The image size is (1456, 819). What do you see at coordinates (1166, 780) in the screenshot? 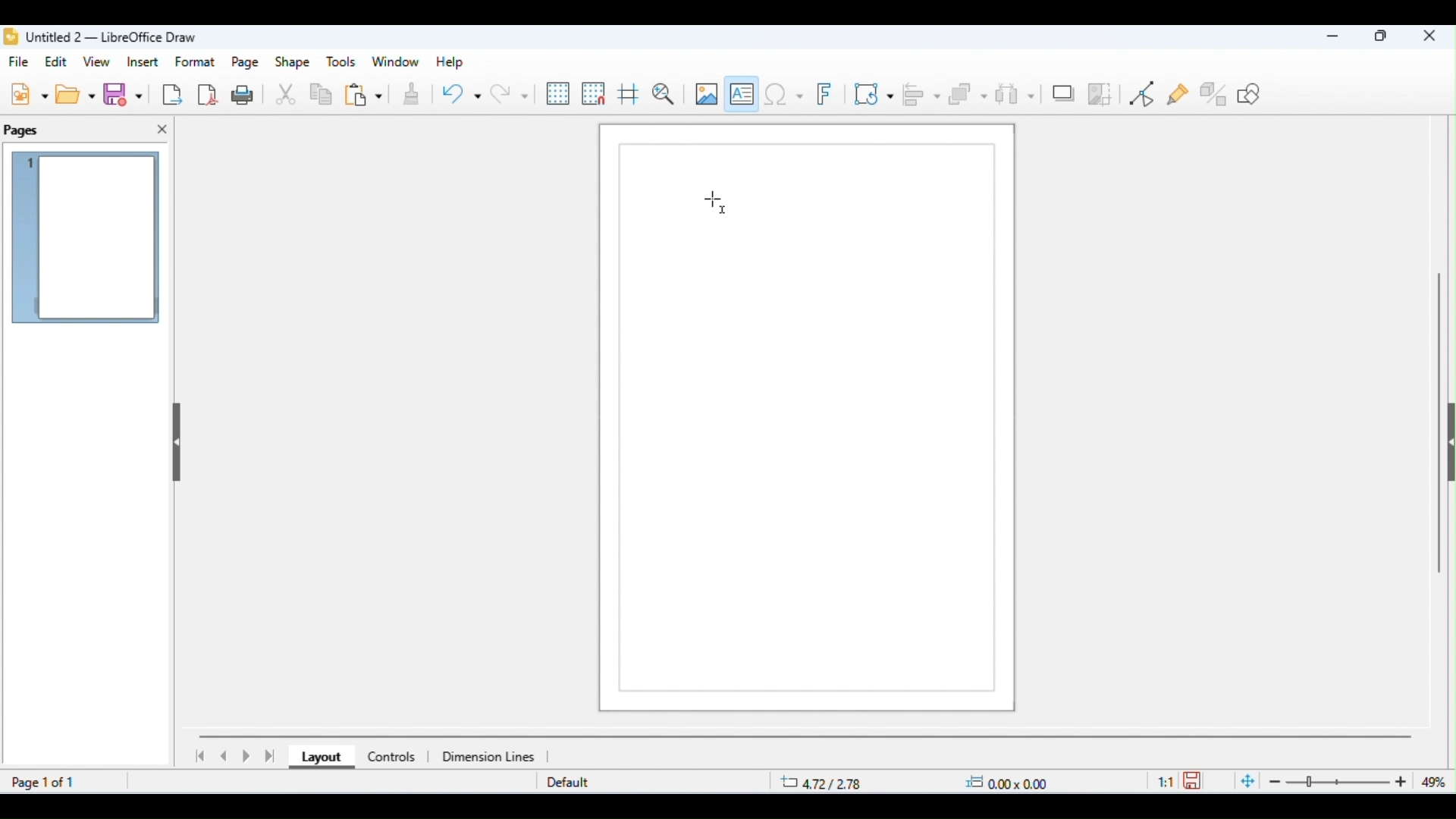
I see `scaling factor` at bounding box center [1166, 780].